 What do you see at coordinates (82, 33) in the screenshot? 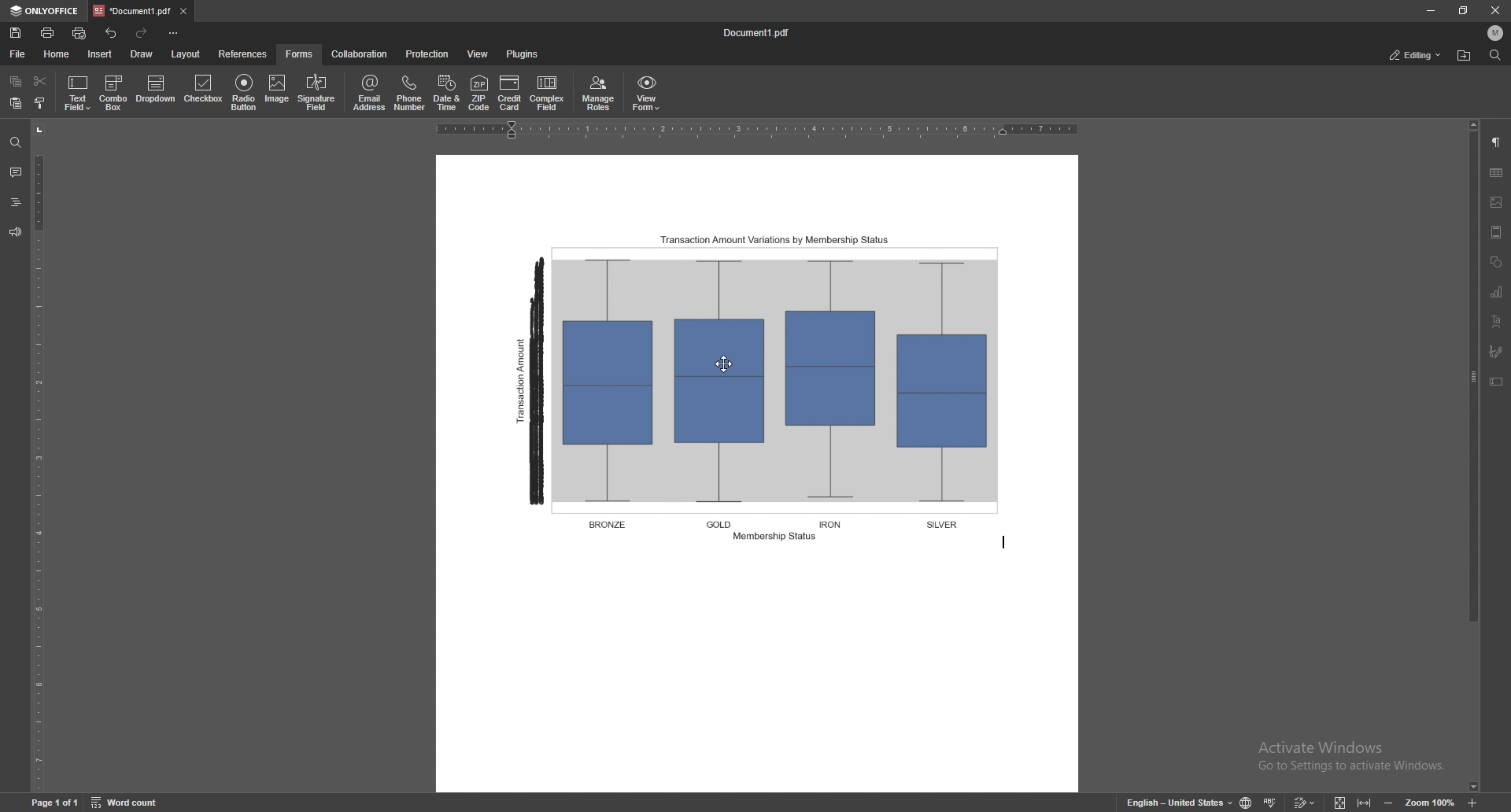
I see `quick print` at bounding box center [82, 33].